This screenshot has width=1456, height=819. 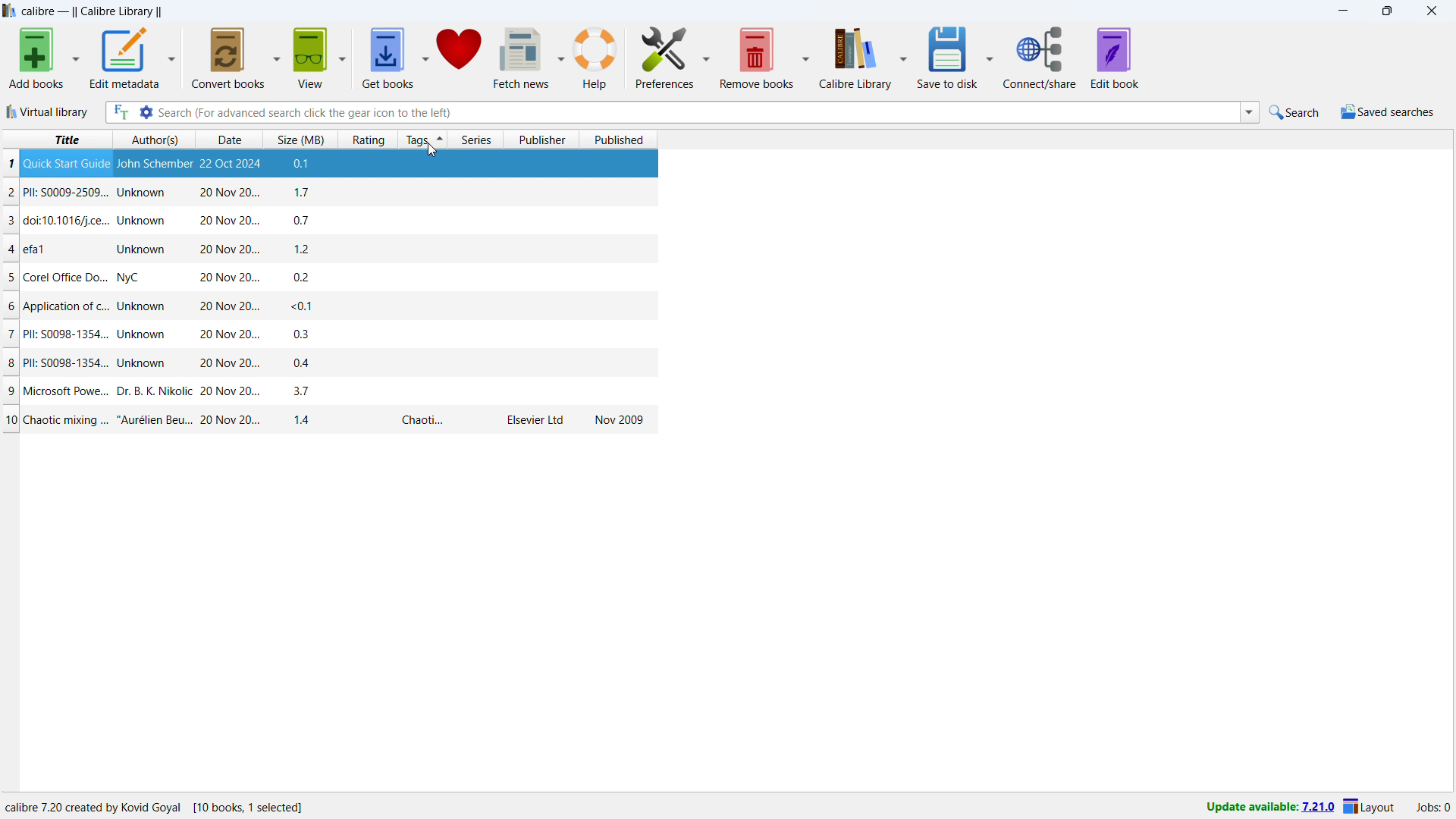 I want to click on sort by authors, so click(x=154, y=139).